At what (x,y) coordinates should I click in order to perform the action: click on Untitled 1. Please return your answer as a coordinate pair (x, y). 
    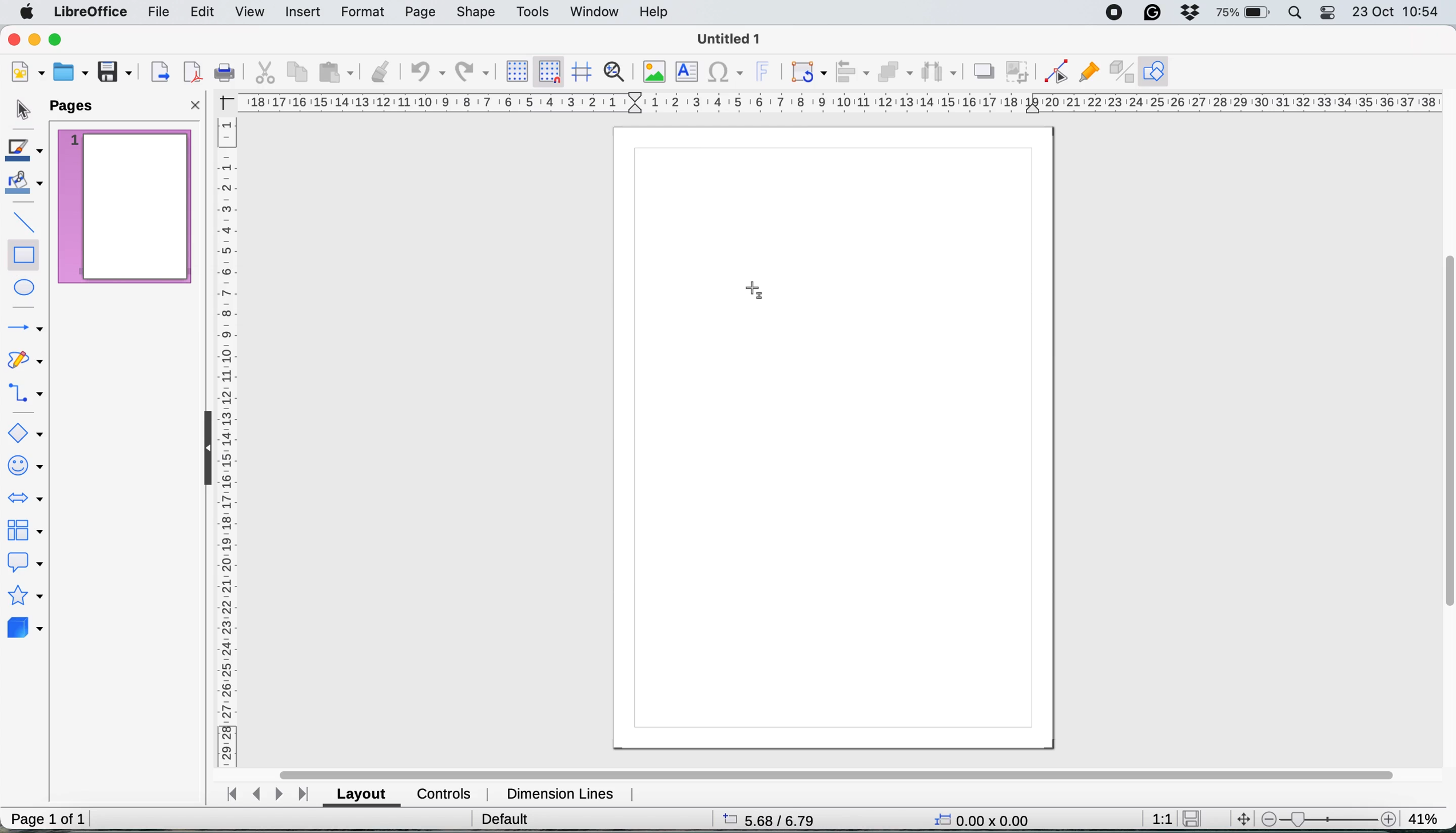
    Looking at the image, I should click on (726, 40).